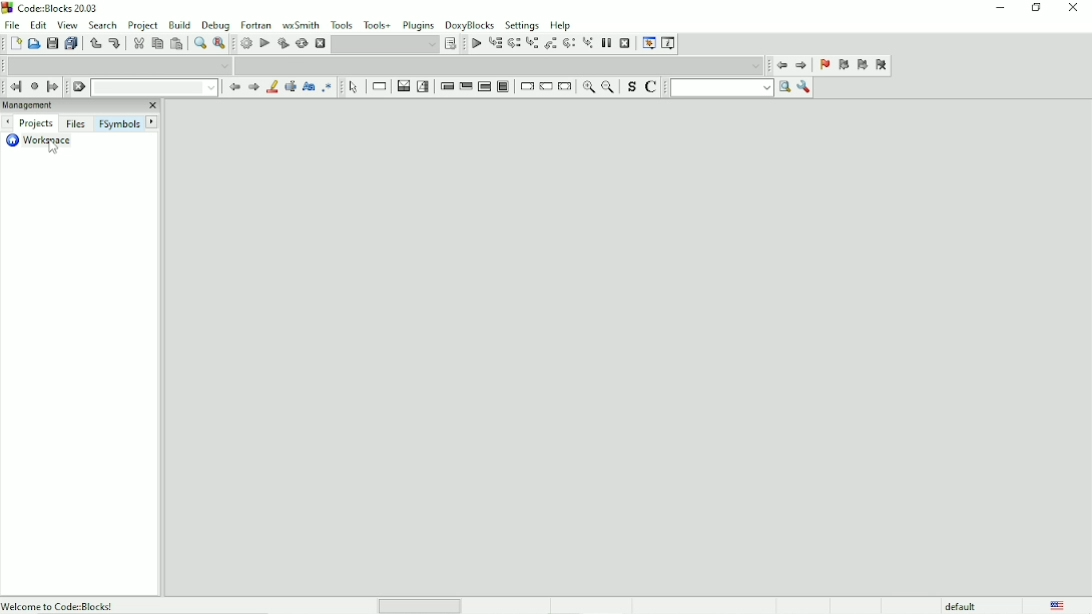 The width and height of the screenshot is (1092, 614). I want to click on Block instruction, so click(504, 88).